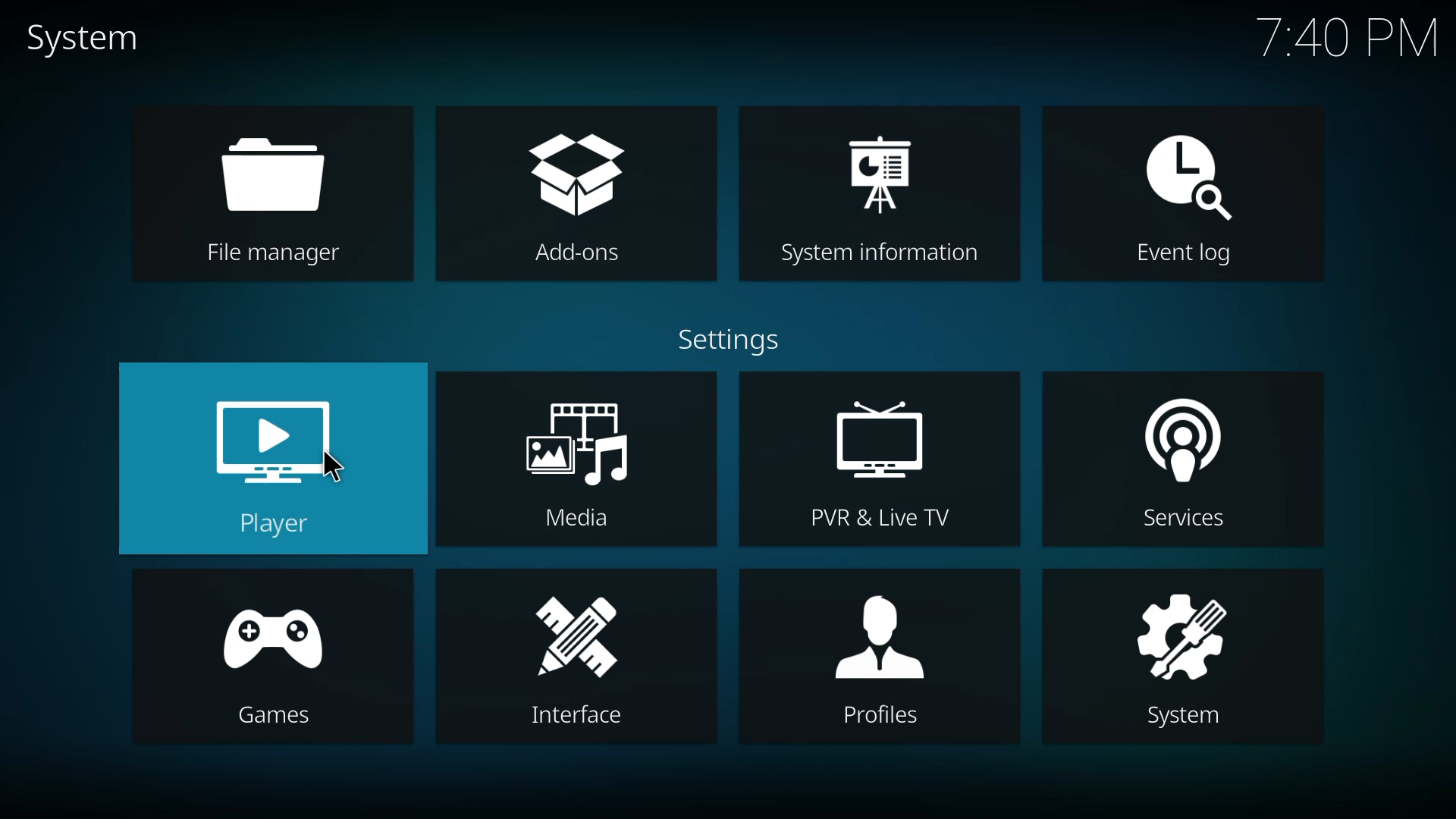  I want to click on system information, so click(877, 199).